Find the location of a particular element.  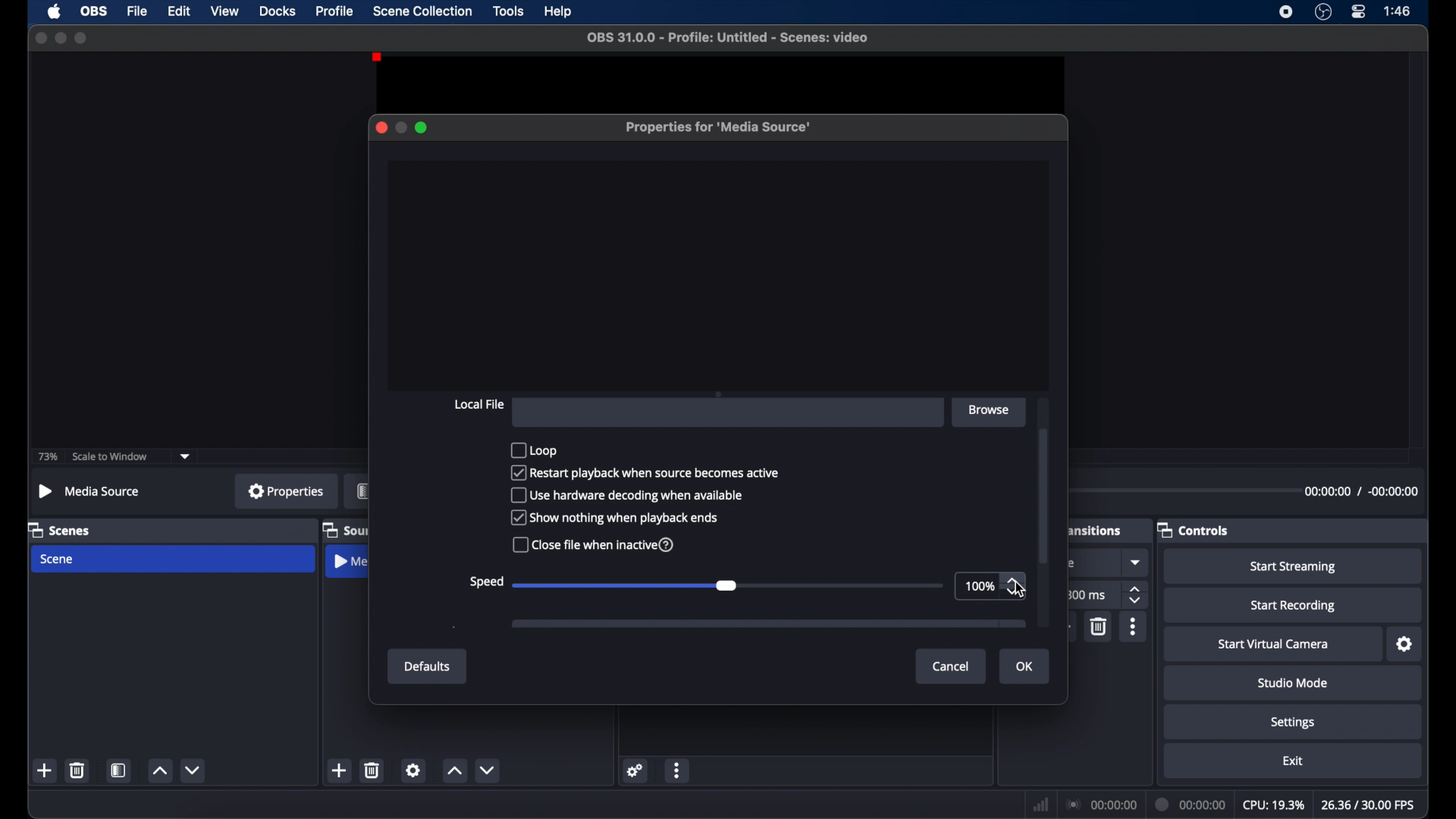

scene is located at coordinates (58, 560).